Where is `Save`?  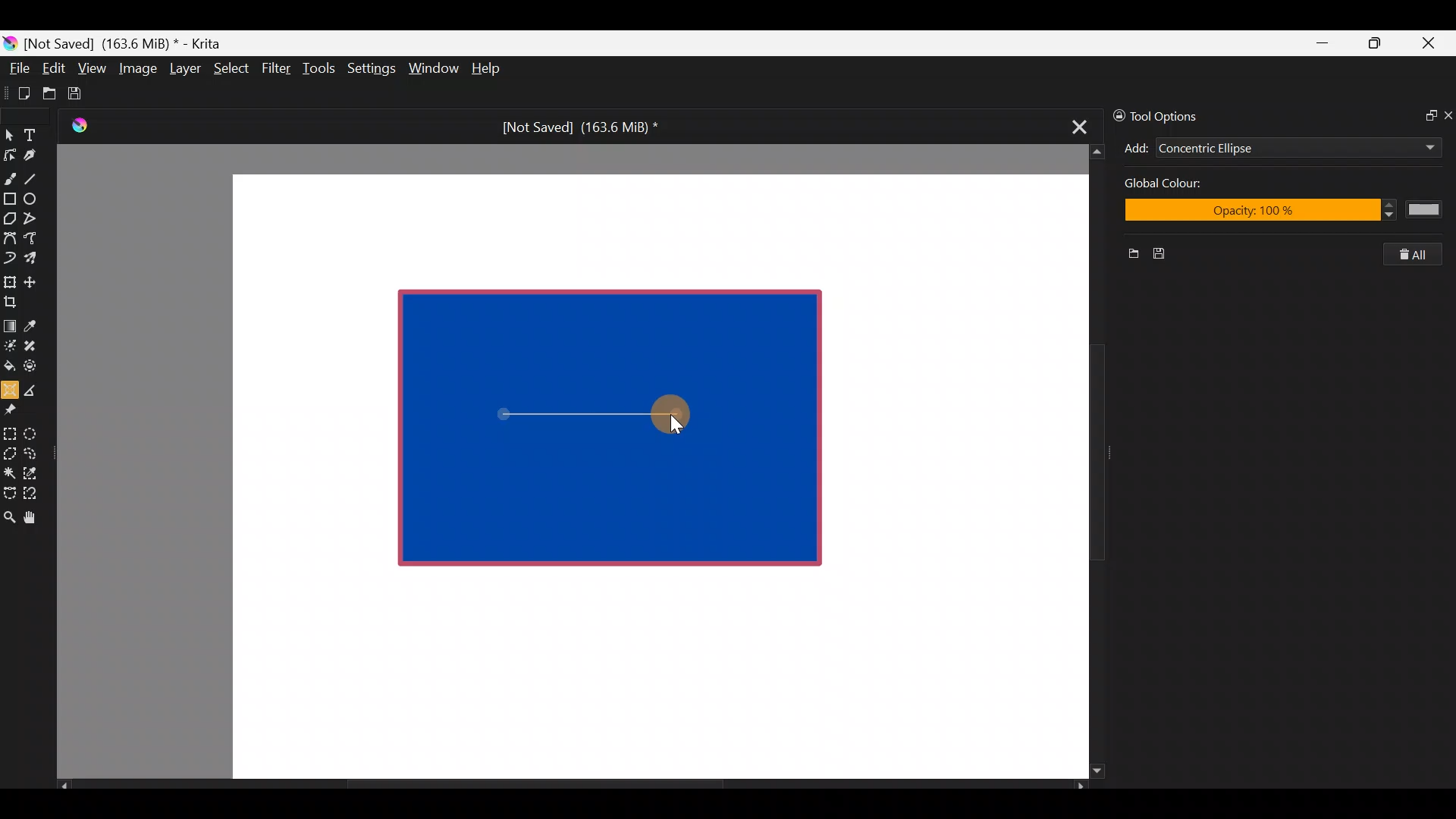 Save is located at coordinates (85, 93).